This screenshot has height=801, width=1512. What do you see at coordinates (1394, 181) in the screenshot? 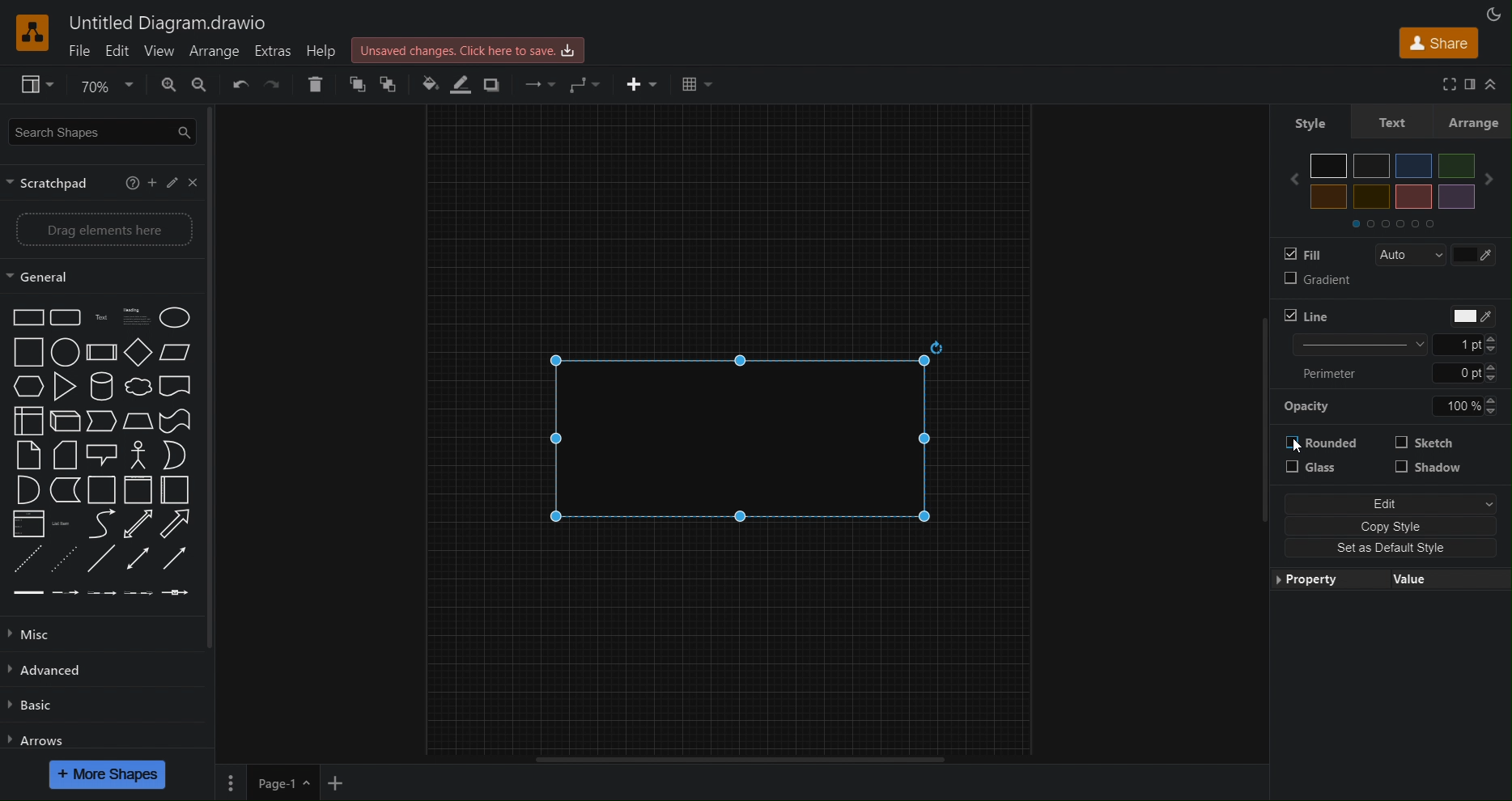
I see `Color` at bounding box center [1394, 181].